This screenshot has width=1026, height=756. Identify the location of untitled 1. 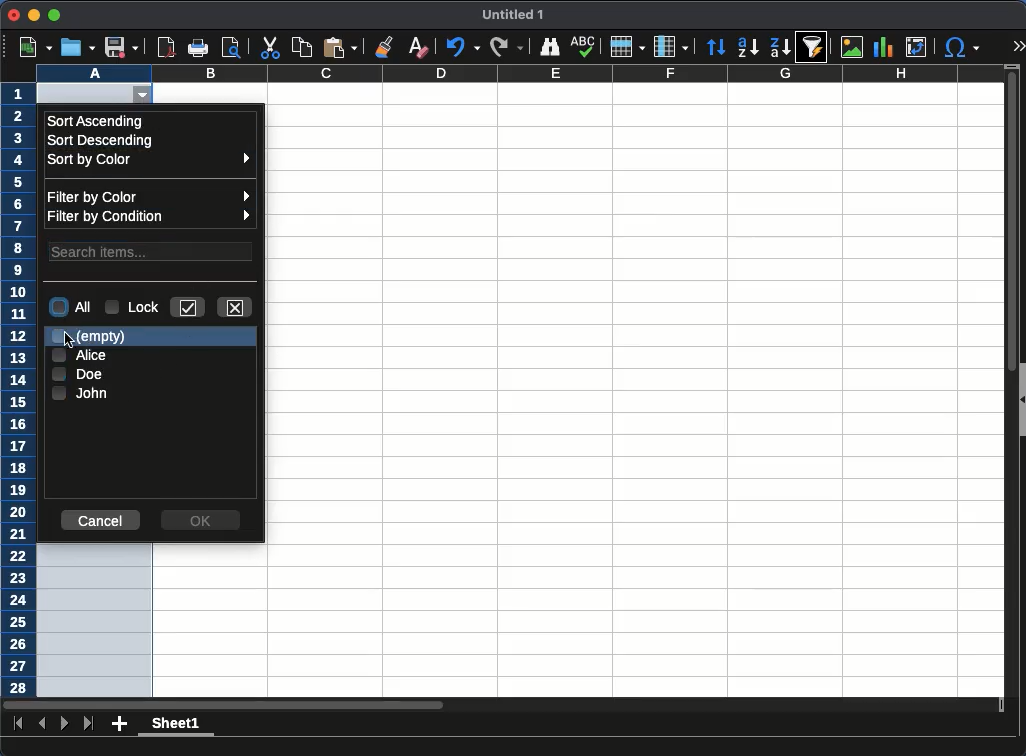
(510, 15).